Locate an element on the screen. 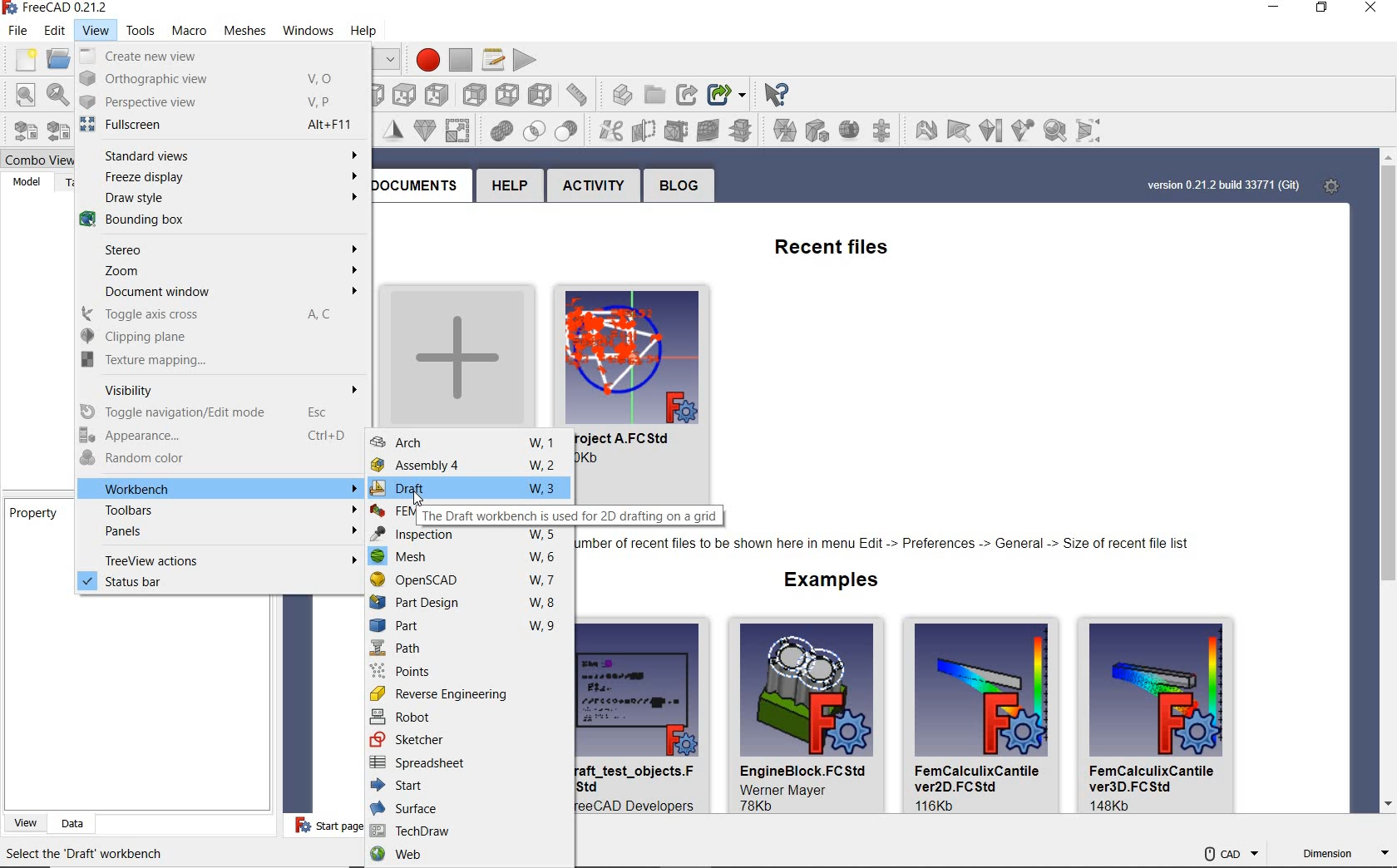 This screenshot has height=868, width=1397. blog is located at coordinates (676, 186).